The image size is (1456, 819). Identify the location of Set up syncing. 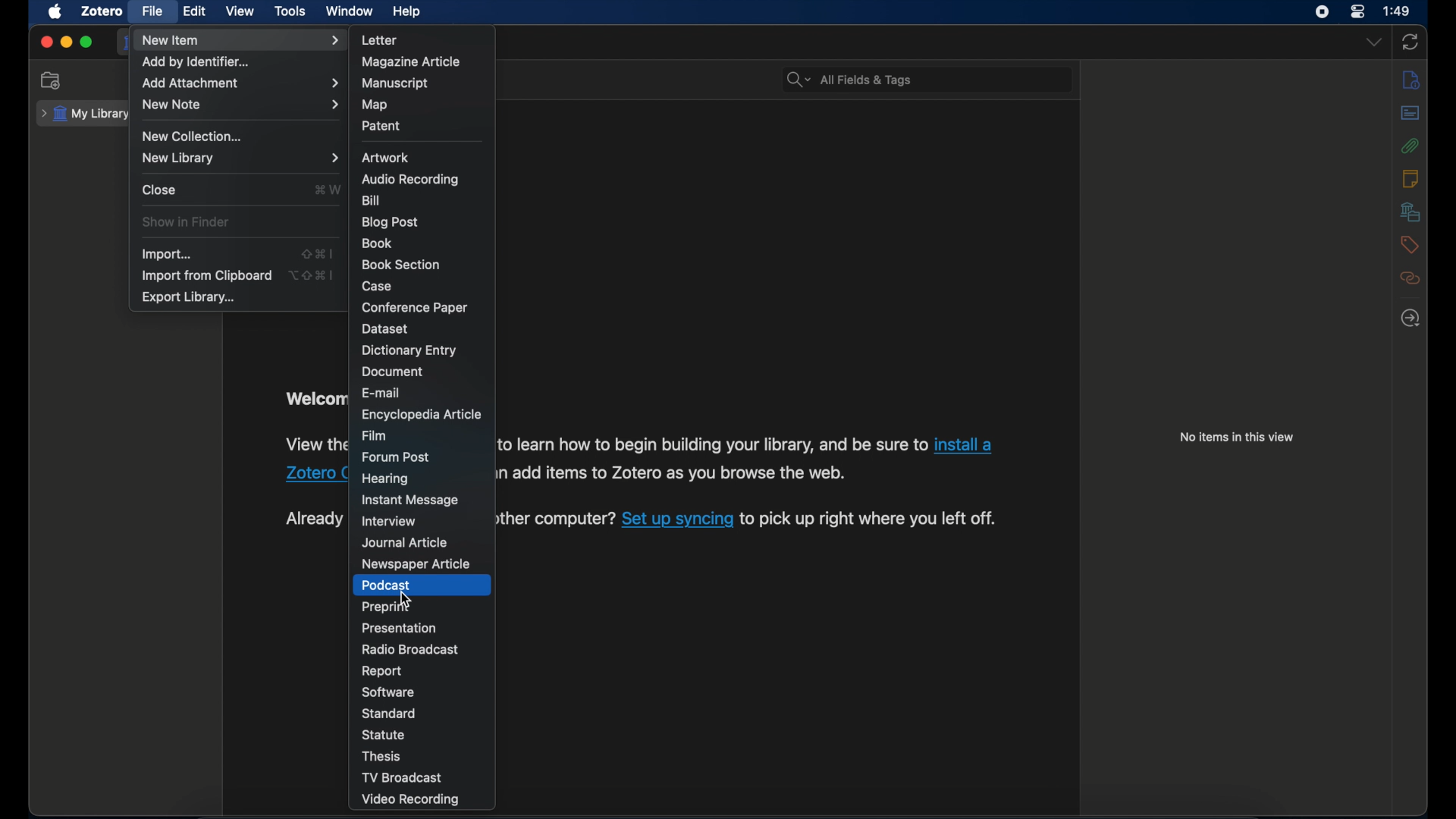
(678, 519).